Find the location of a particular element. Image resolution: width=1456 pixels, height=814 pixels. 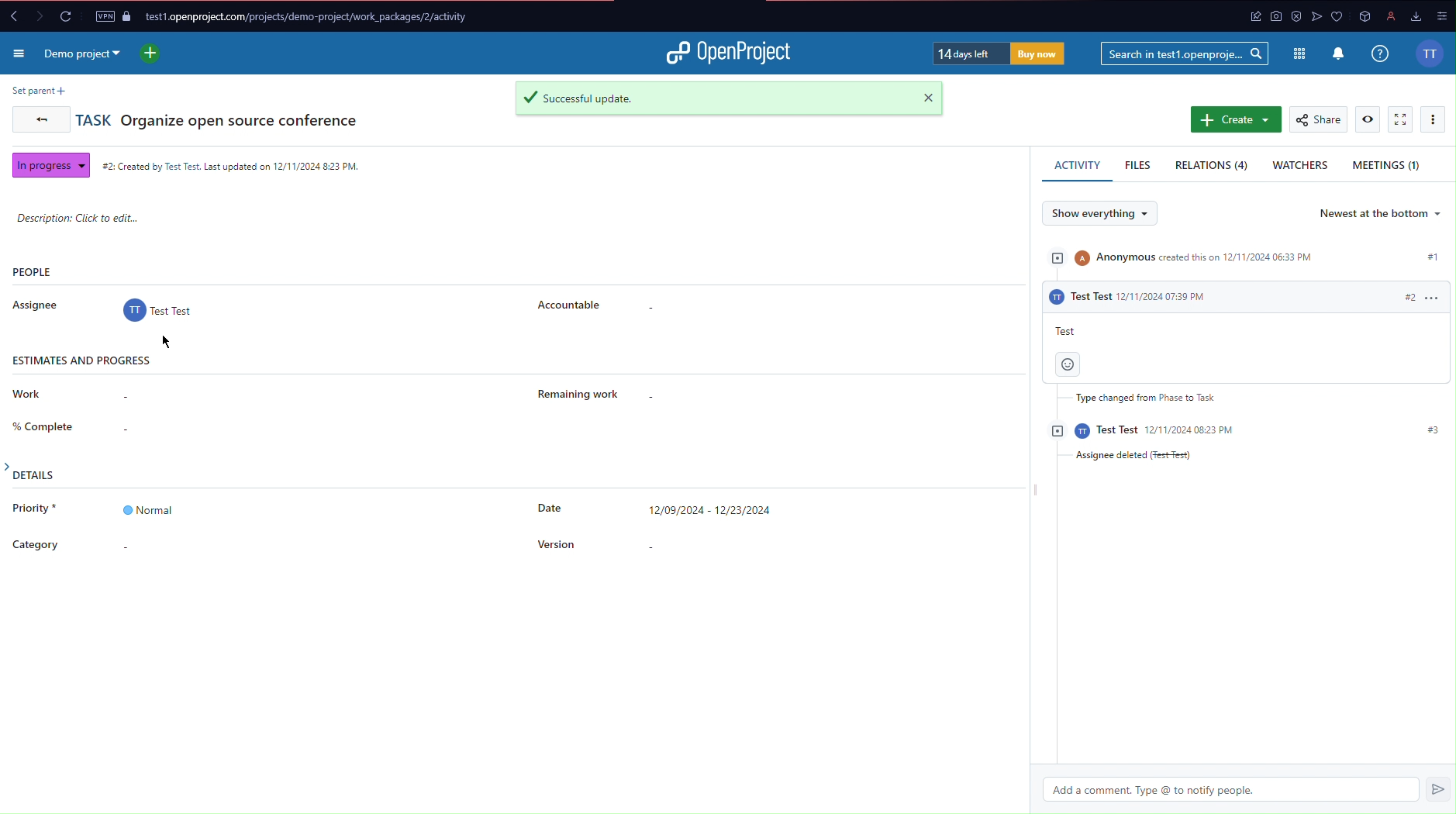

app icons is located at coordinates (1337, 16).